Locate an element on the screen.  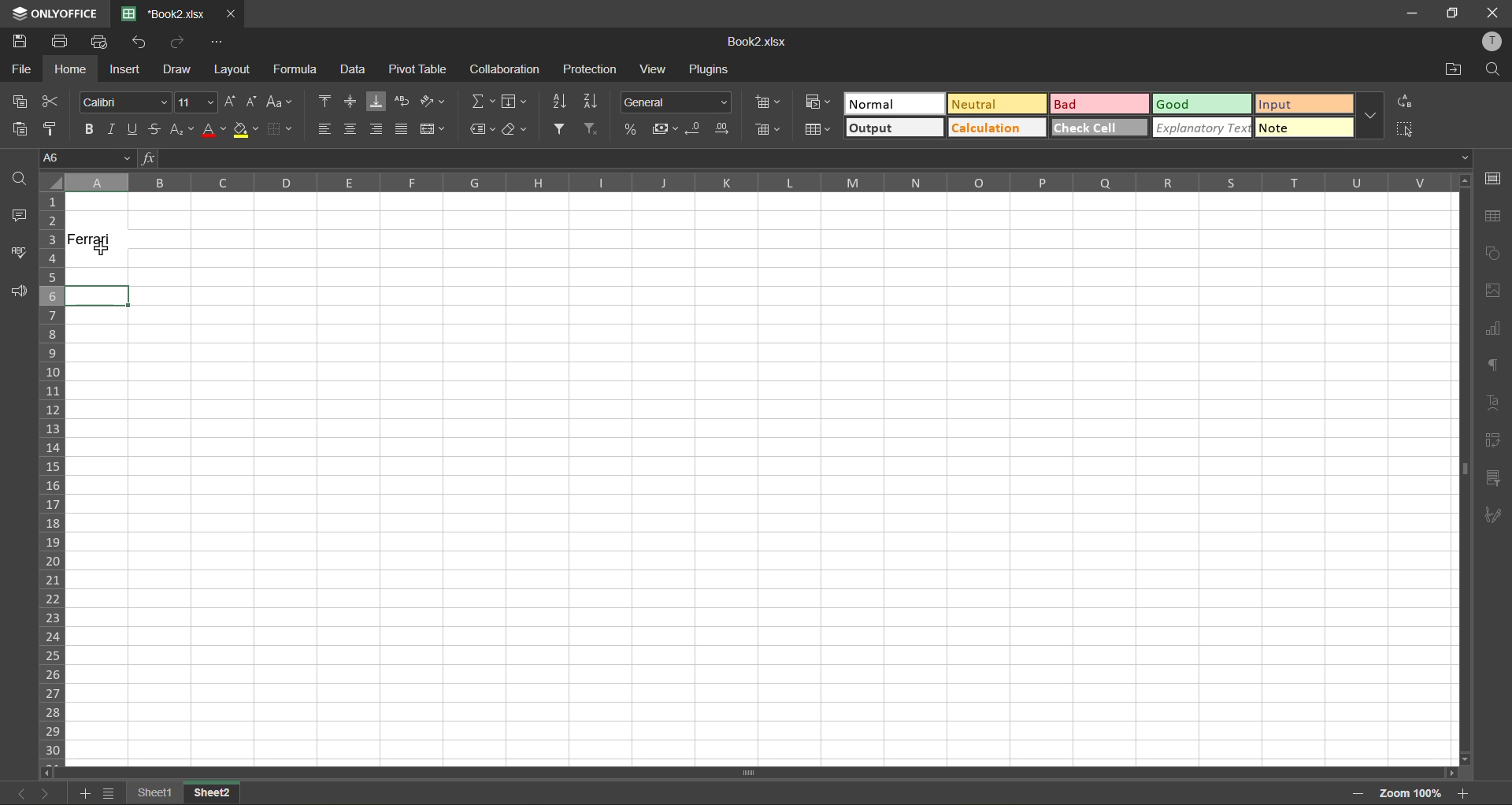
font style is located at coordinates (124, 102).